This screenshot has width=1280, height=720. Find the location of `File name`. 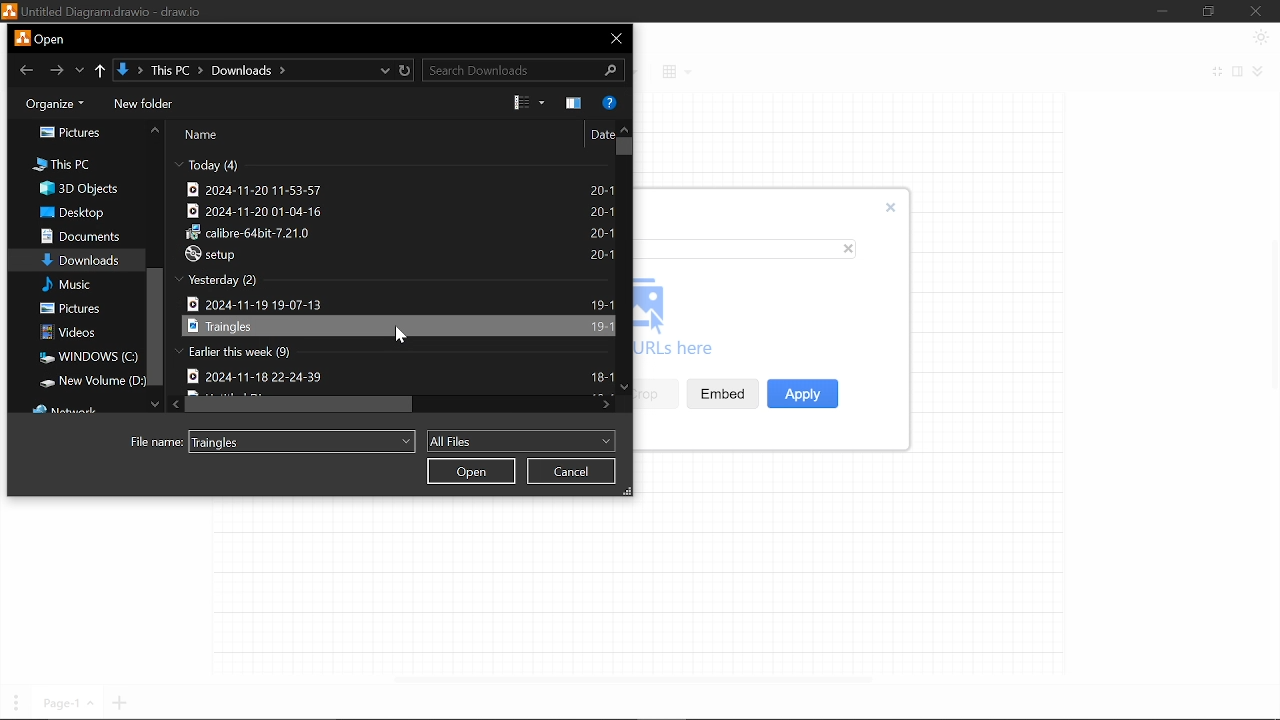

File name is located at coordinates (273, 442).